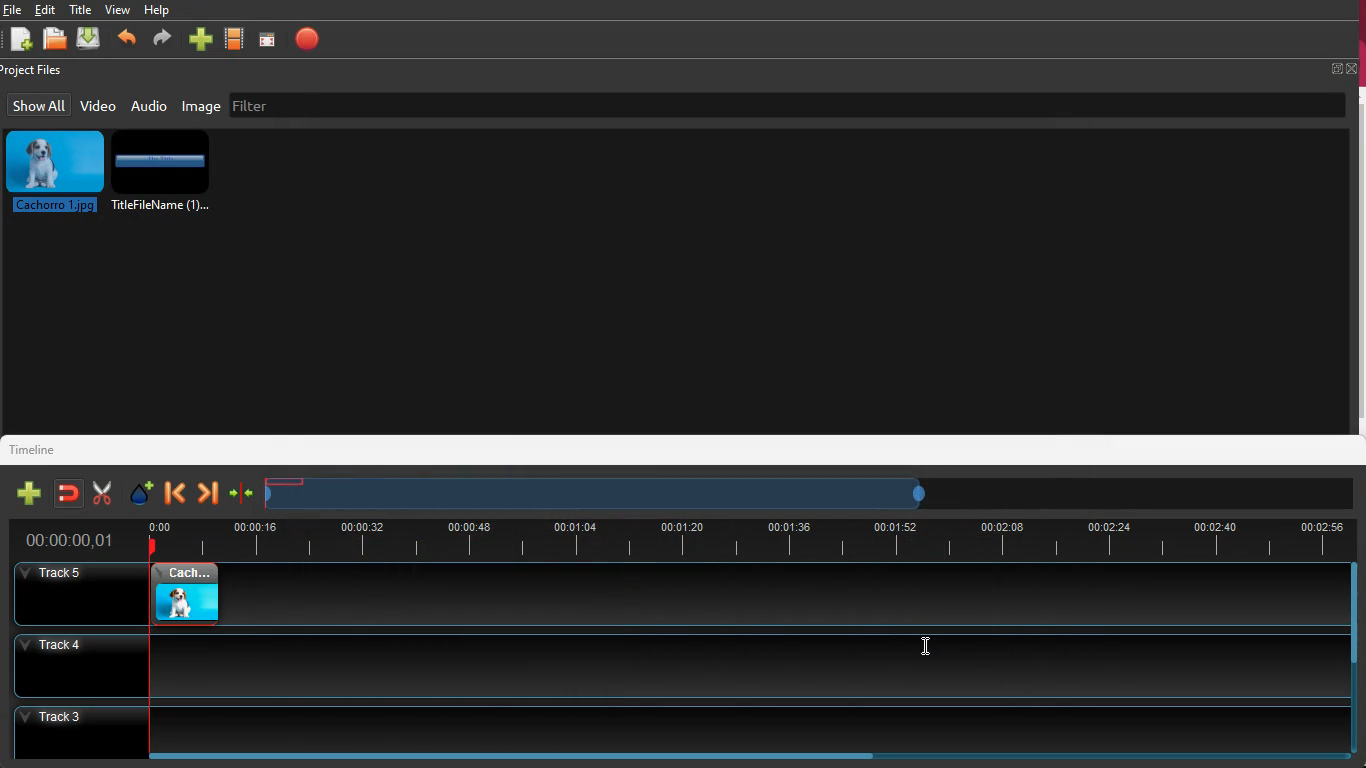 The image size is (1366, 768). Describe the element at coordinates (288, 482) in the screenshot. I see `title timeline` at that location.